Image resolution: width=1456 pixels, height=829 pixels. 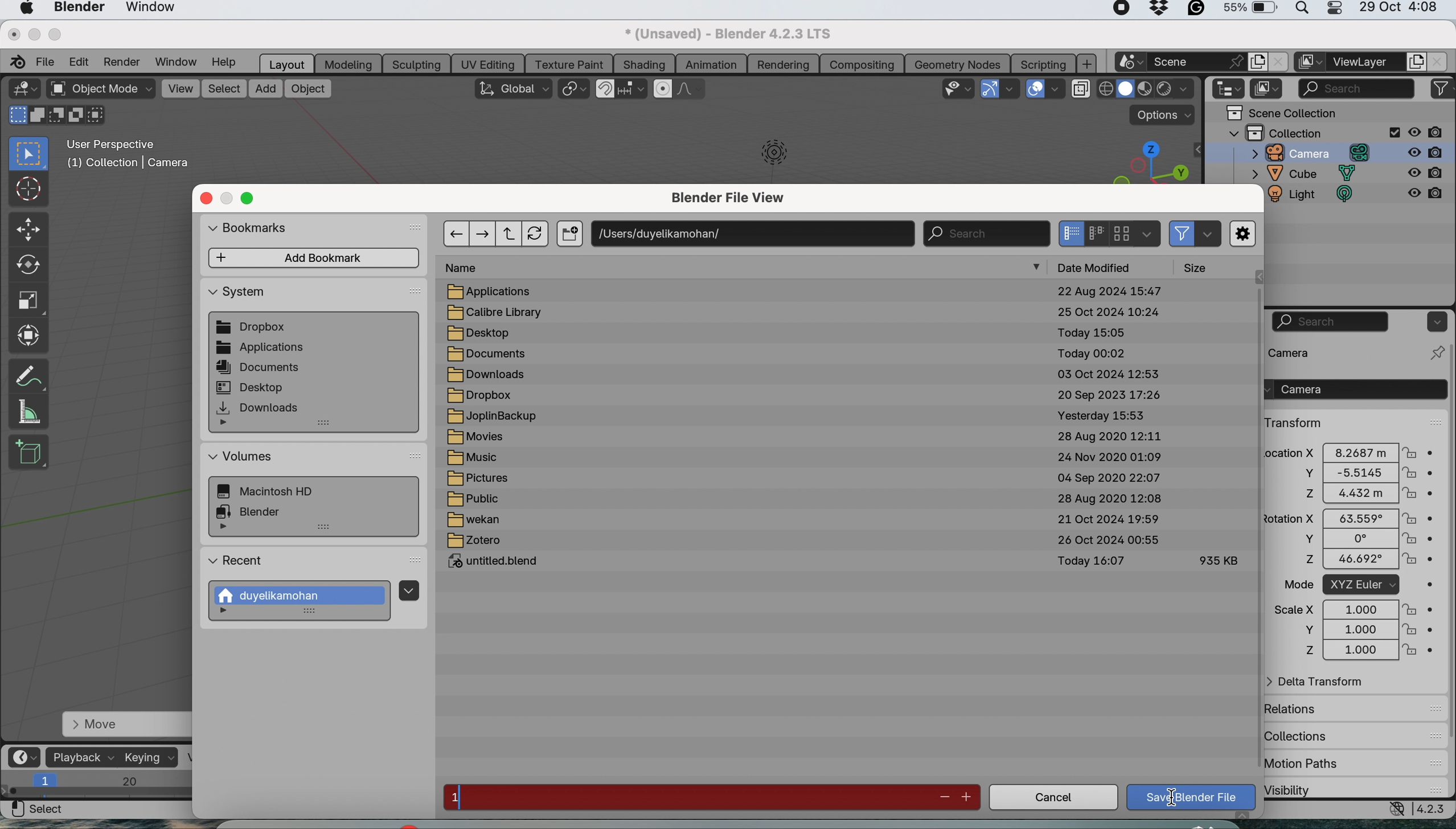 What do you see at coordinates (1257, 62) in the screenshot?
I see `add new scene` at bounding box center [1257, 62].